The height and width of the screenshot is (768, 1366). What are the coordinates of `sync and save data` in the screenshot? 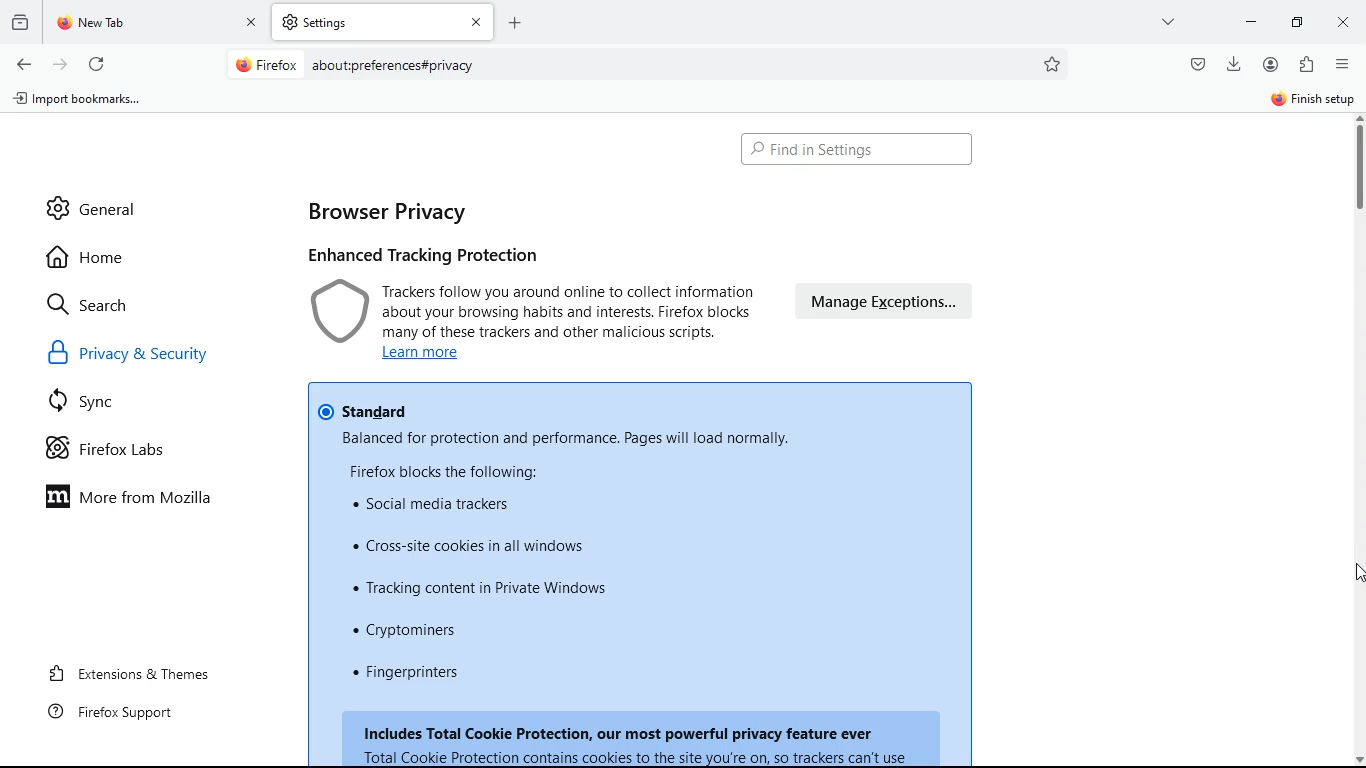 It's located at (1167, 102).